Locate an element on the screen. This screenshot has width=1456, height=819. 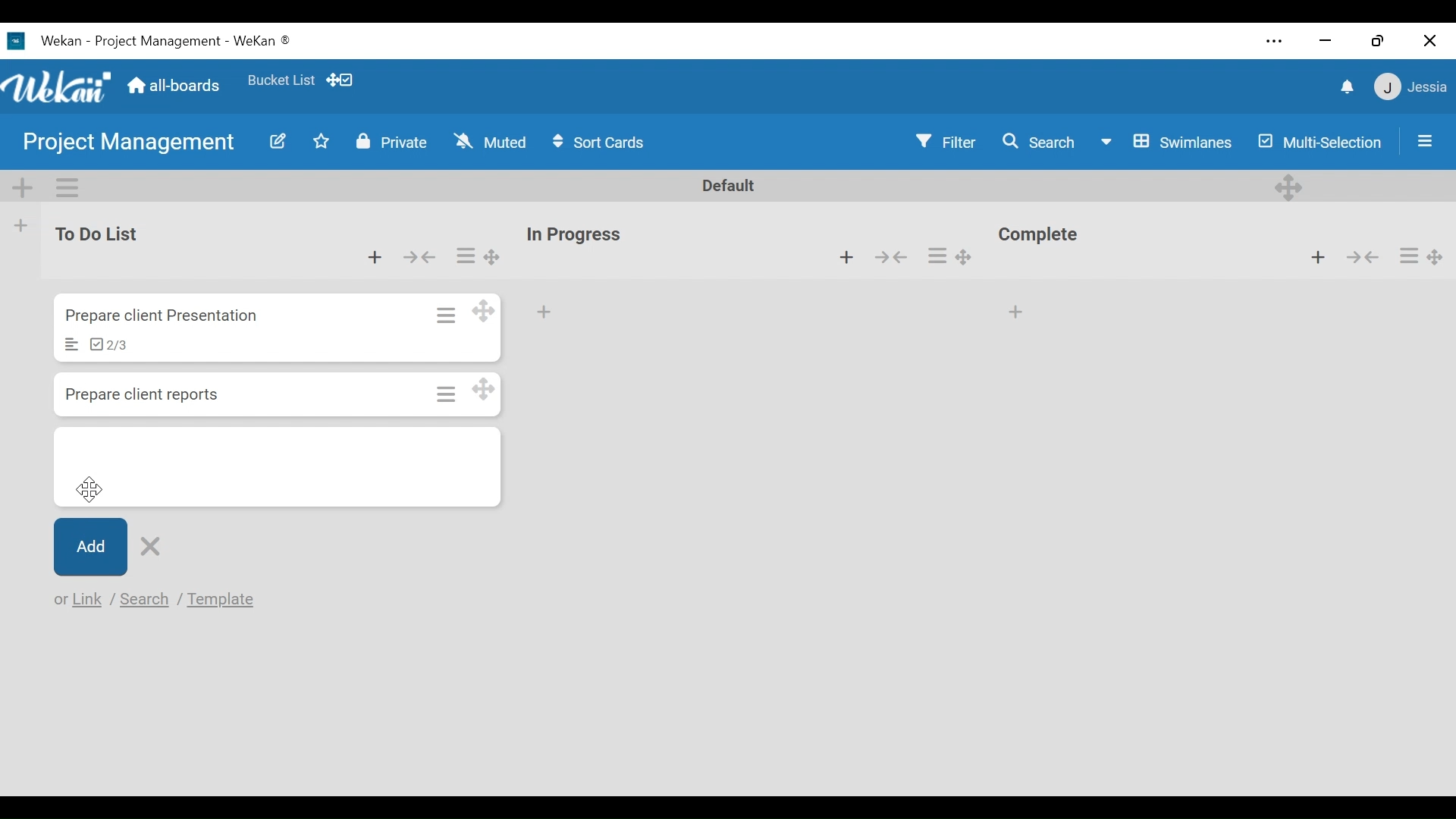
In progress is located at coordinates (579, 234).